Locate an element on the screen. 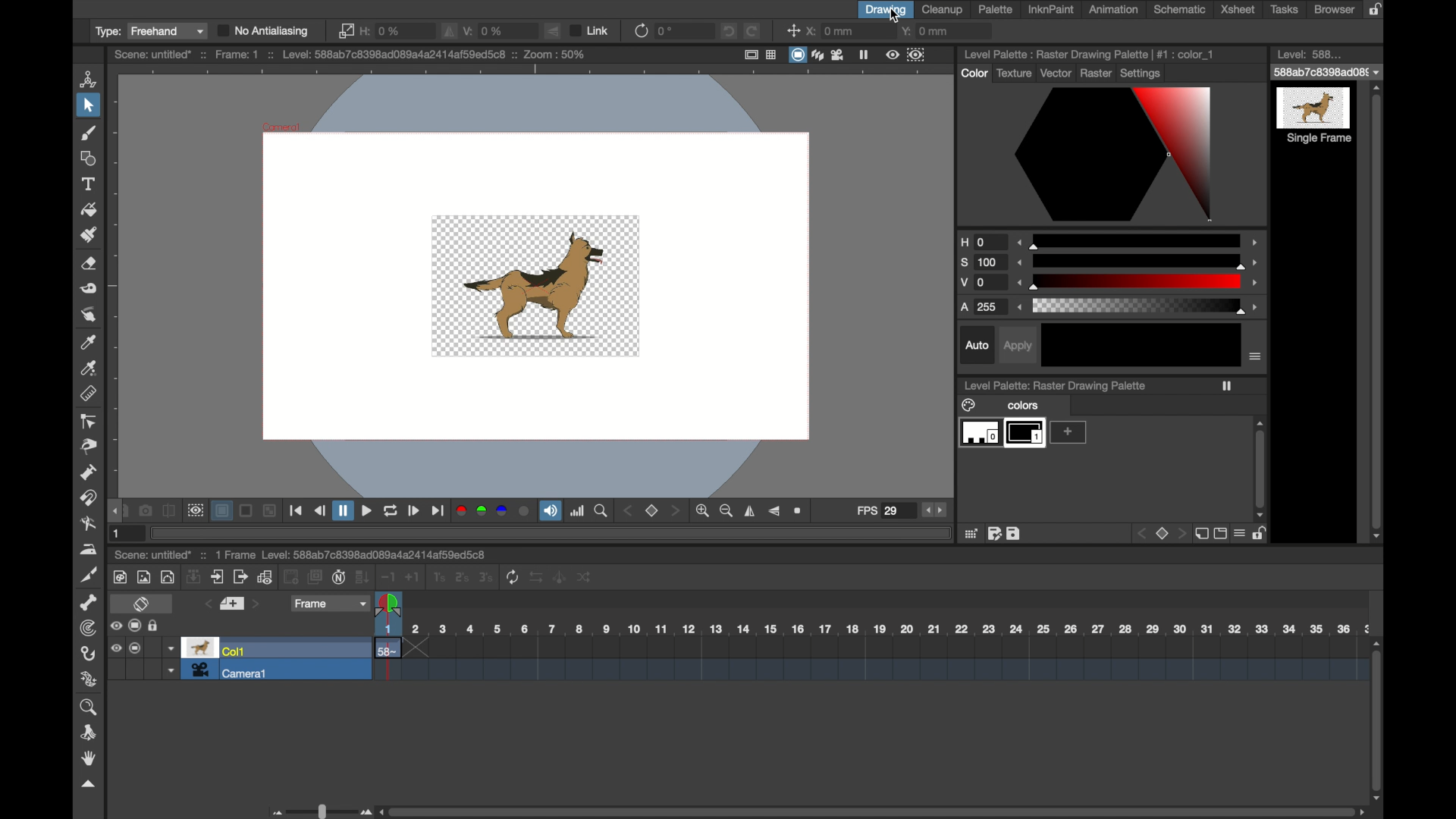 The image size is (1456, 819). set is located at coordinates (232, 604).